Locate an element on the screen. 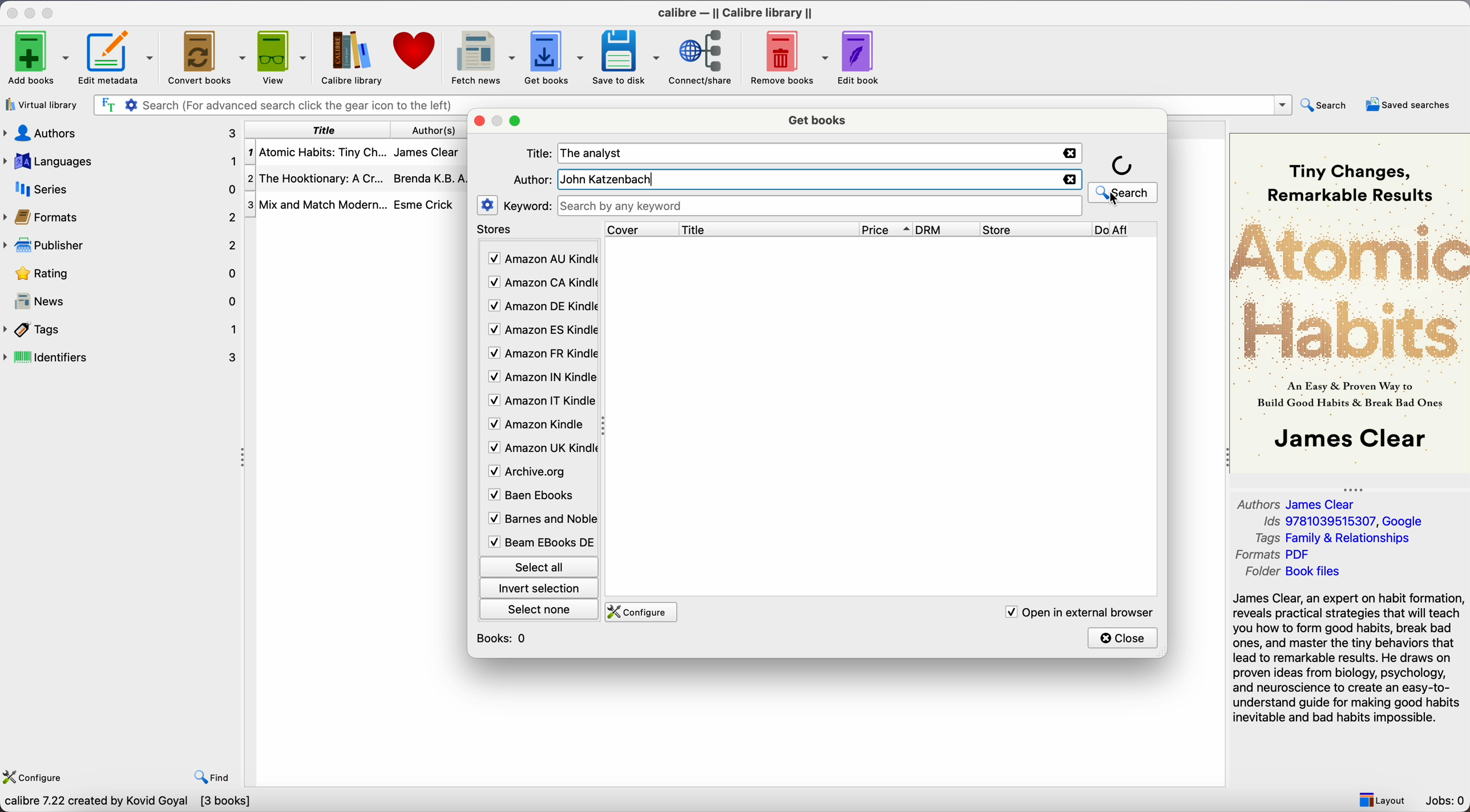  Amazon ES Kindle is located at coordinates (541, 332).